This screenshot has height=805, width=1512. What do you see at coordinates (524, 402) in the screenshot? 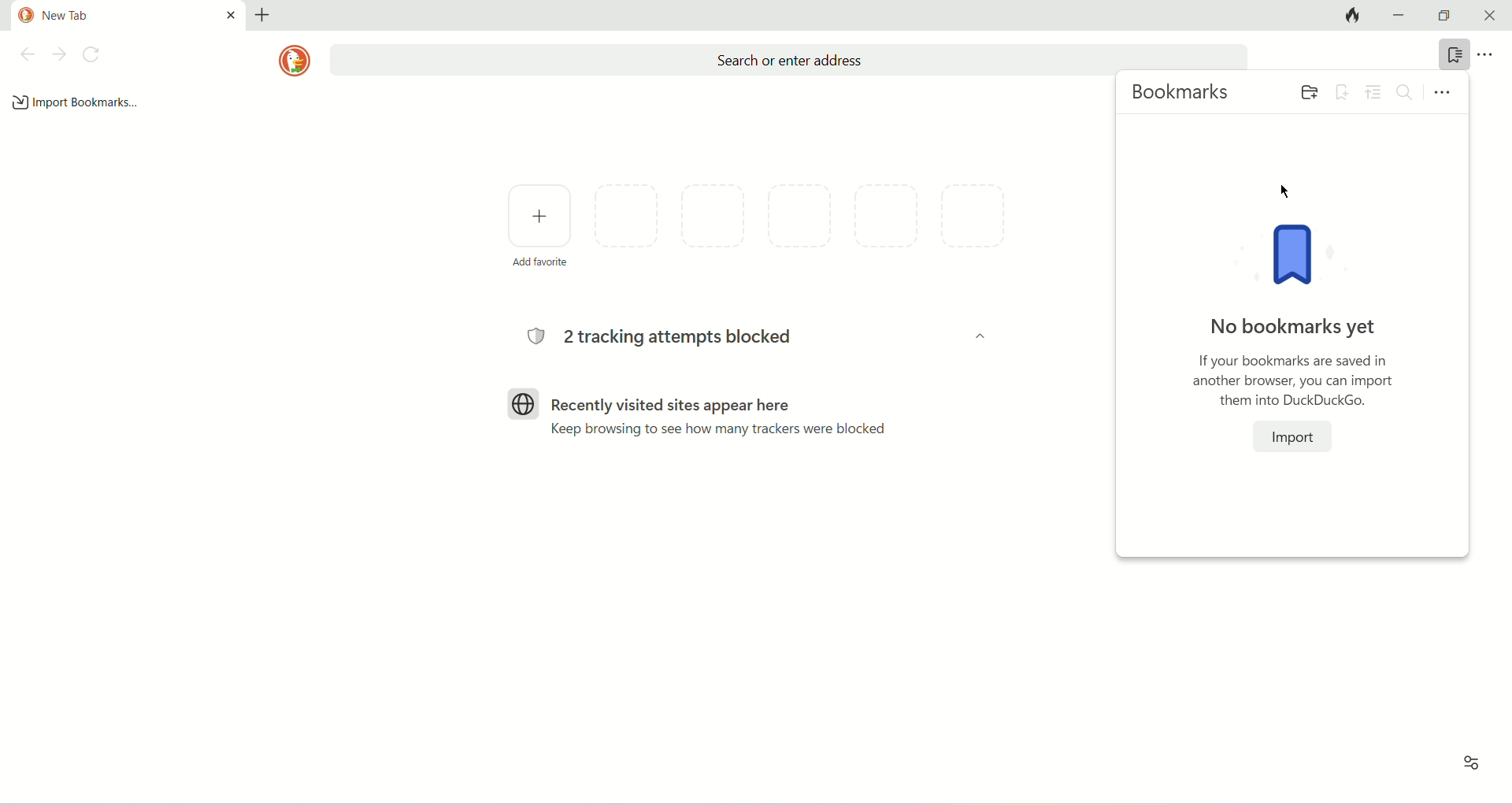
I see `Logo` at bounding box center [524, 402].